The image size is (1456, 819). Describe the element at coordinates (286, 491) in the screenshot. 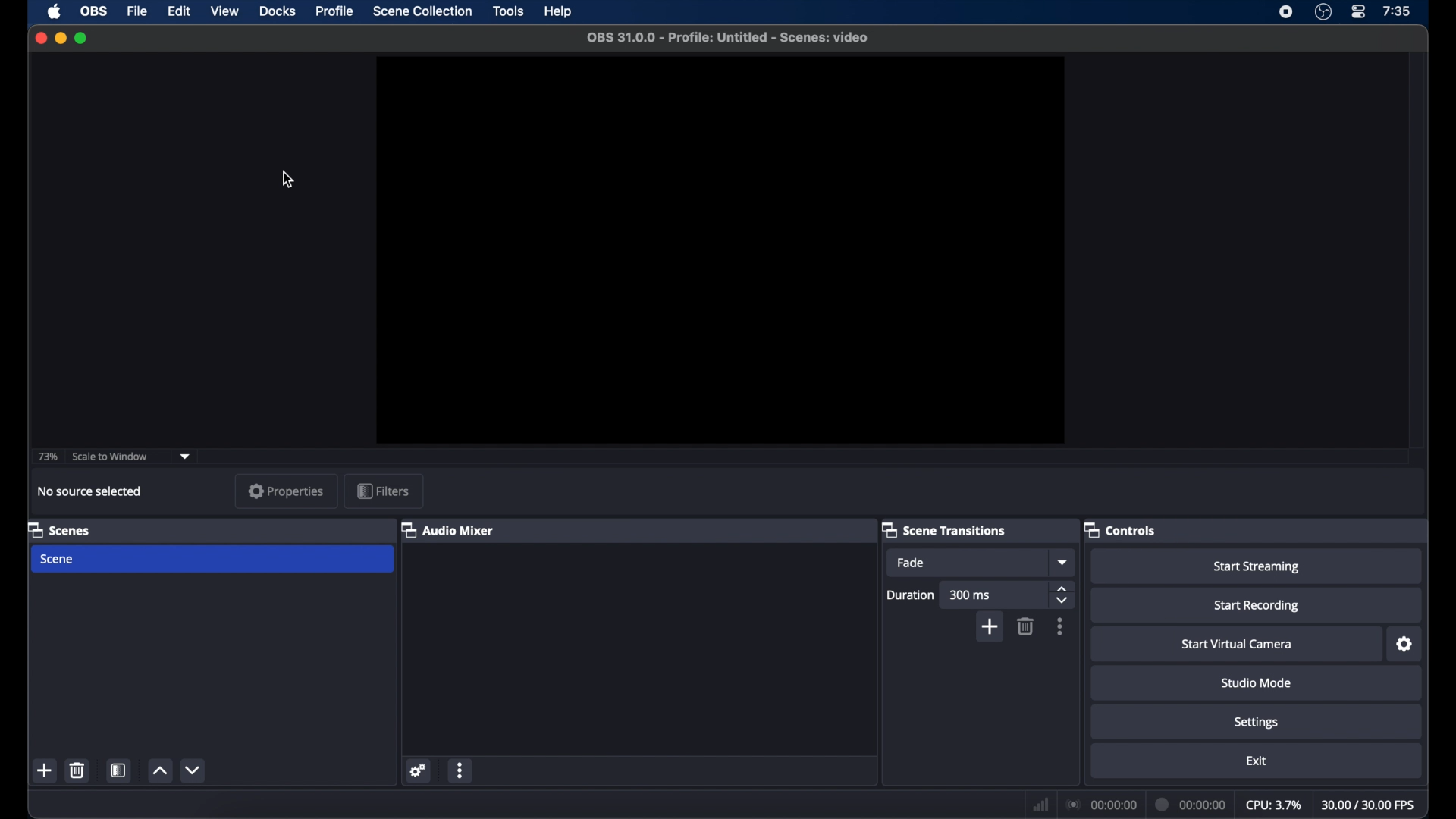

I see `properties` at that location.